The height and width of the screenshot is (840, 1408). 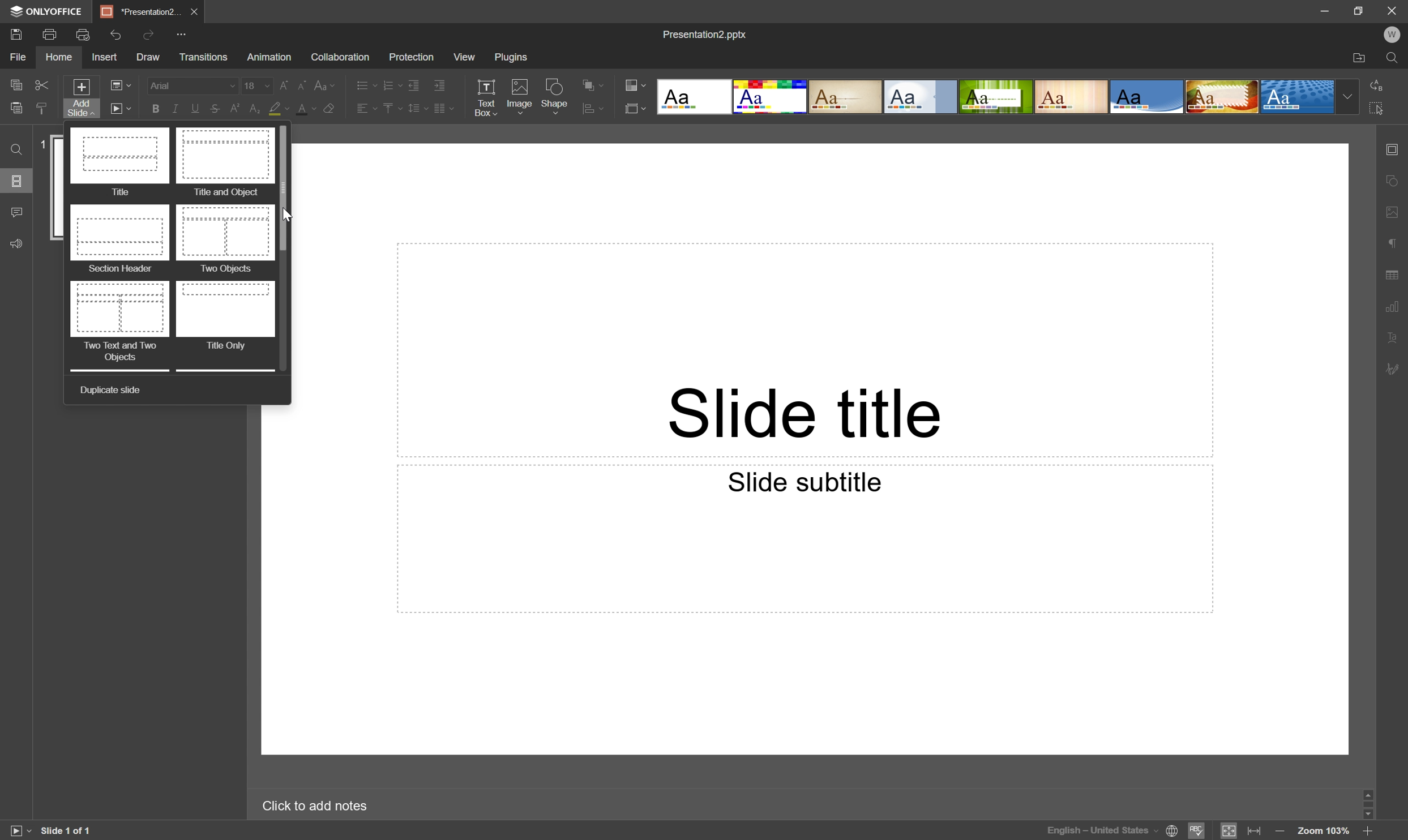 I want to click on File, so click(x=19, y=57).